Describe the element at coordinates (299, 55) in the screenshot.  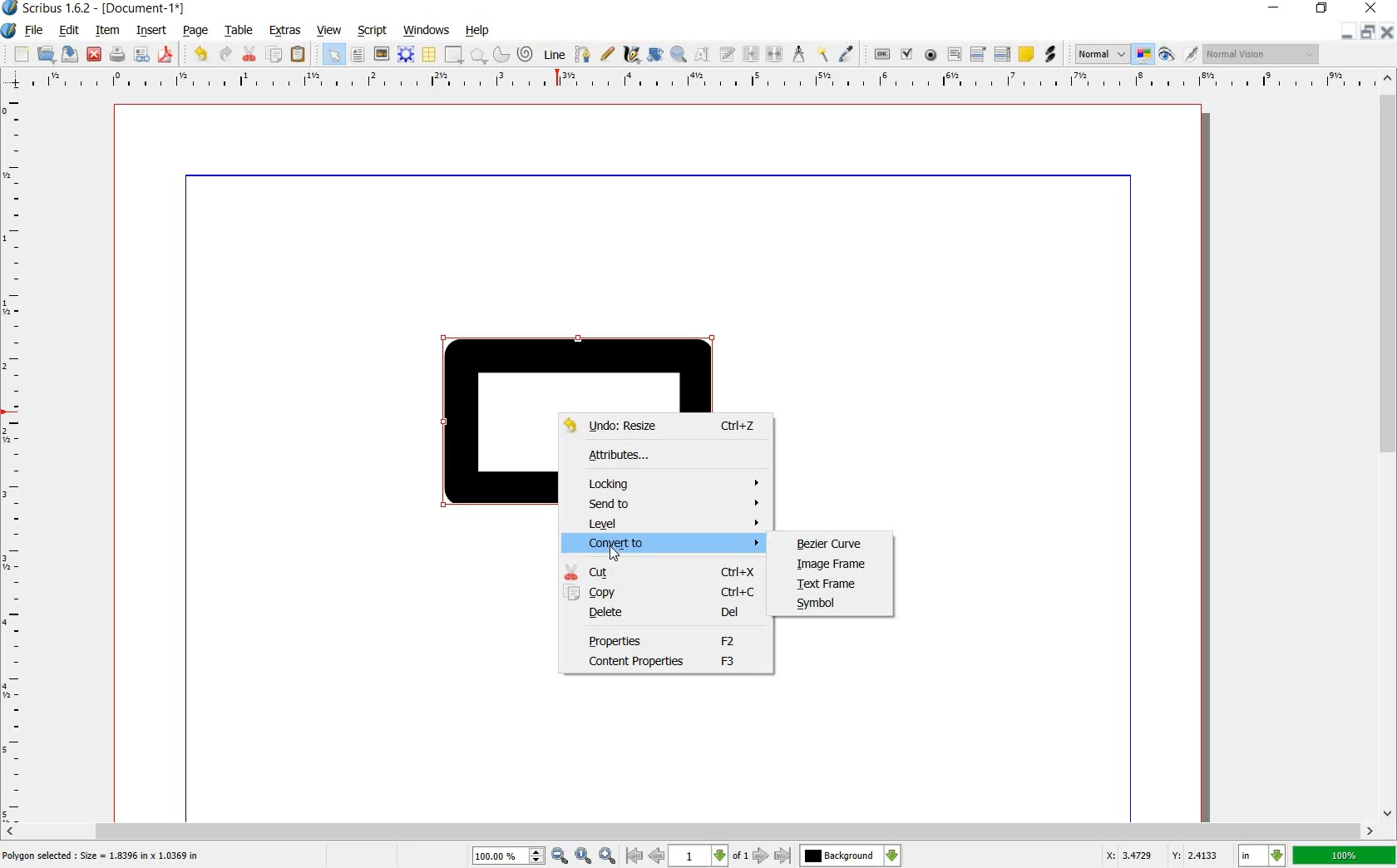
I see `paste` at that location.